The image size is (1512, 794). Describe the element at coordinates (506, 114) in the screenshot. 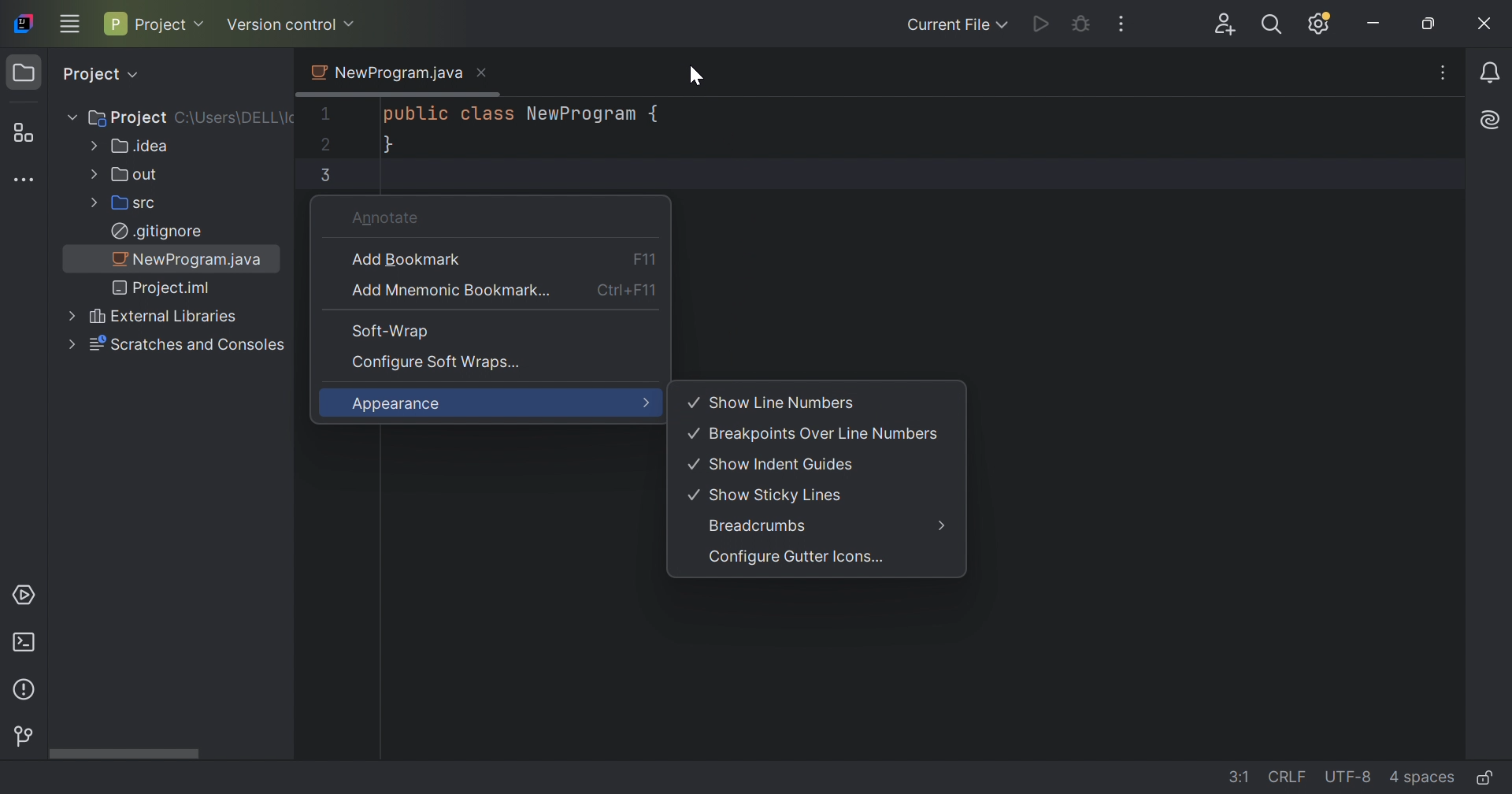

I see `public class NewProgram {` at that location.